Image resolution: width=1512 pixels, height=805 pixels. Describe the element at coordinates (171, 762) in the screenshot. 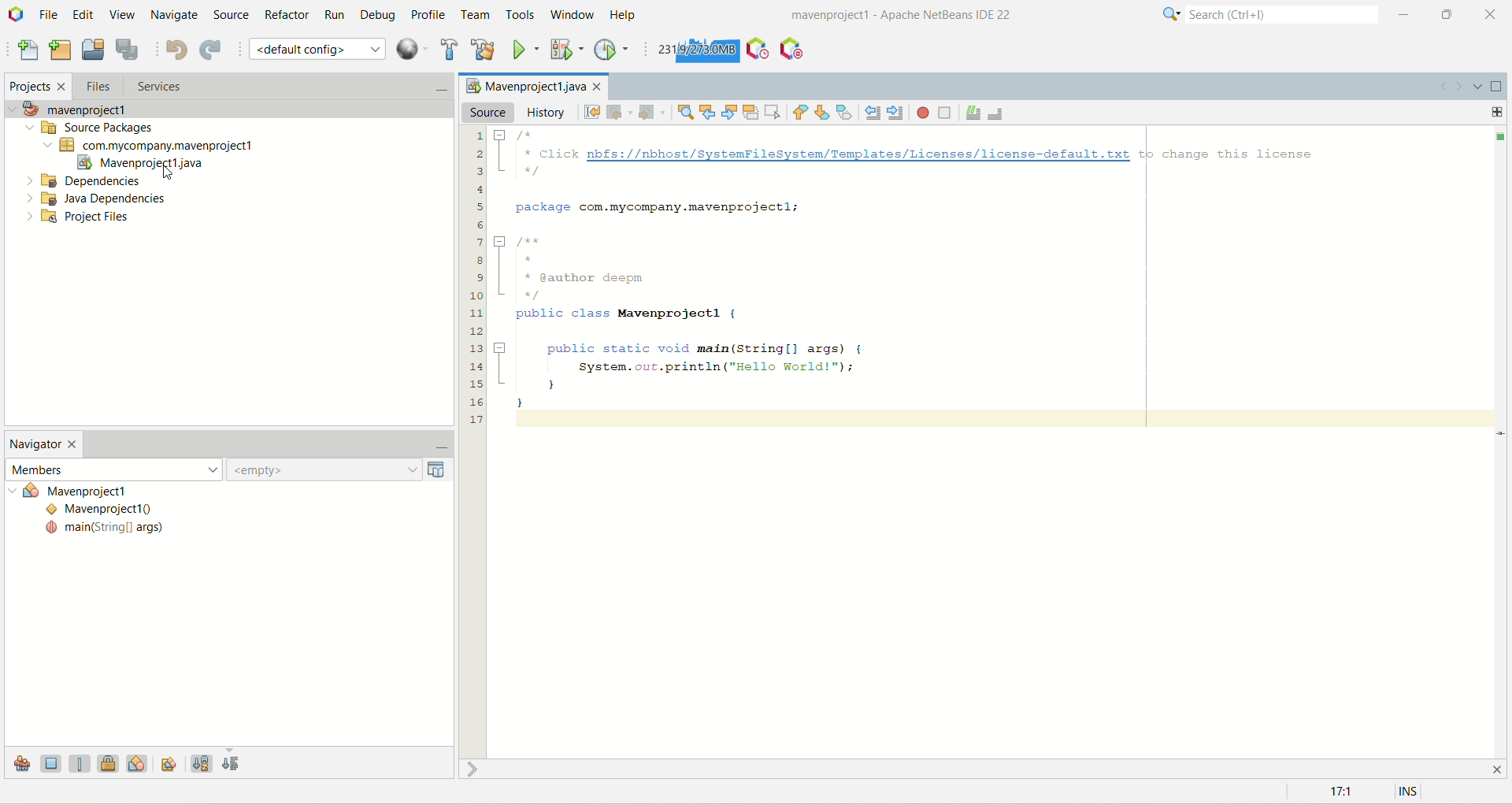

I see `fully qualified names` at that location.